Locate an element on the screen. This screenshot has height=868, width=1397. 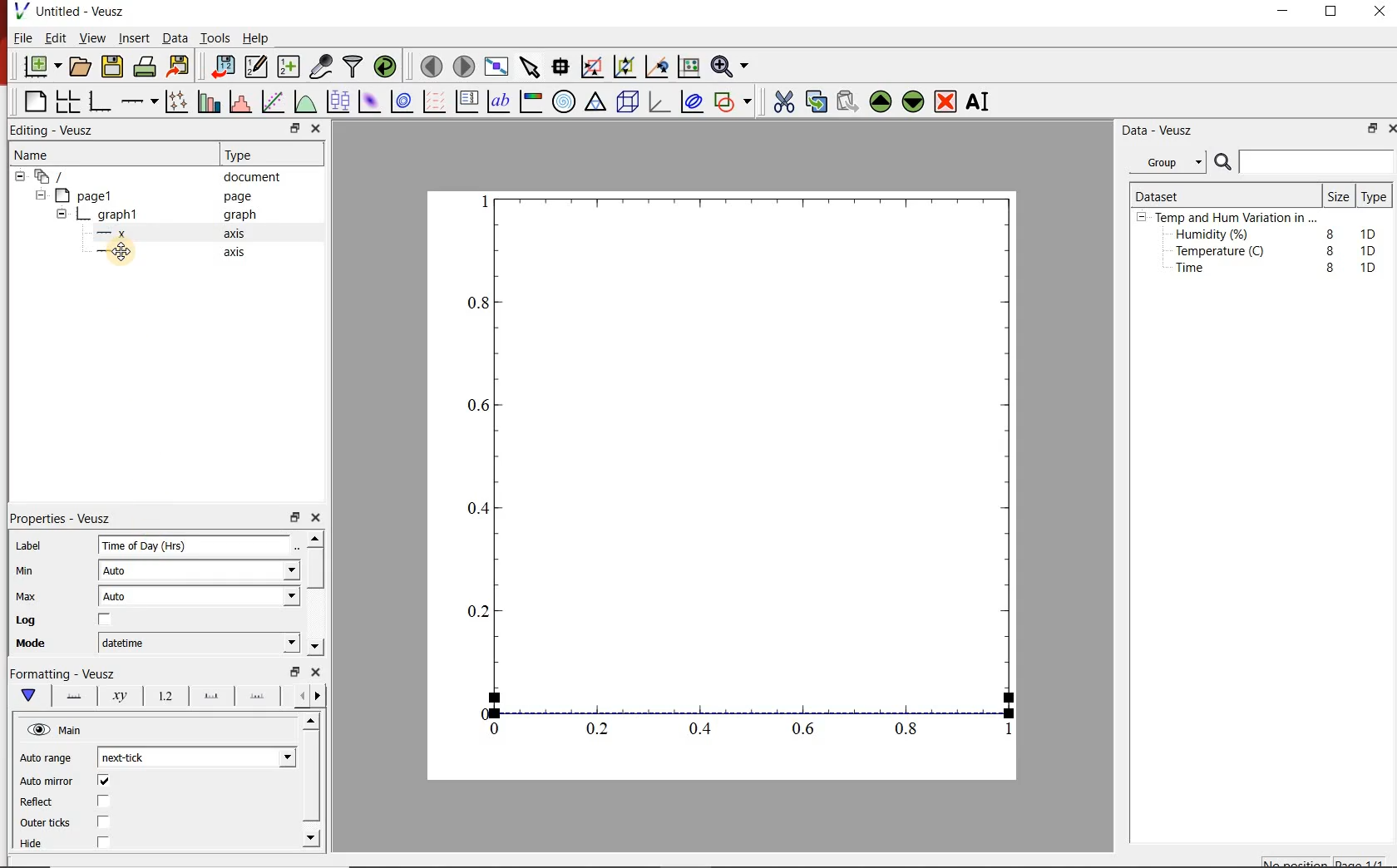
image color bar is located at coordinates (534, 101).